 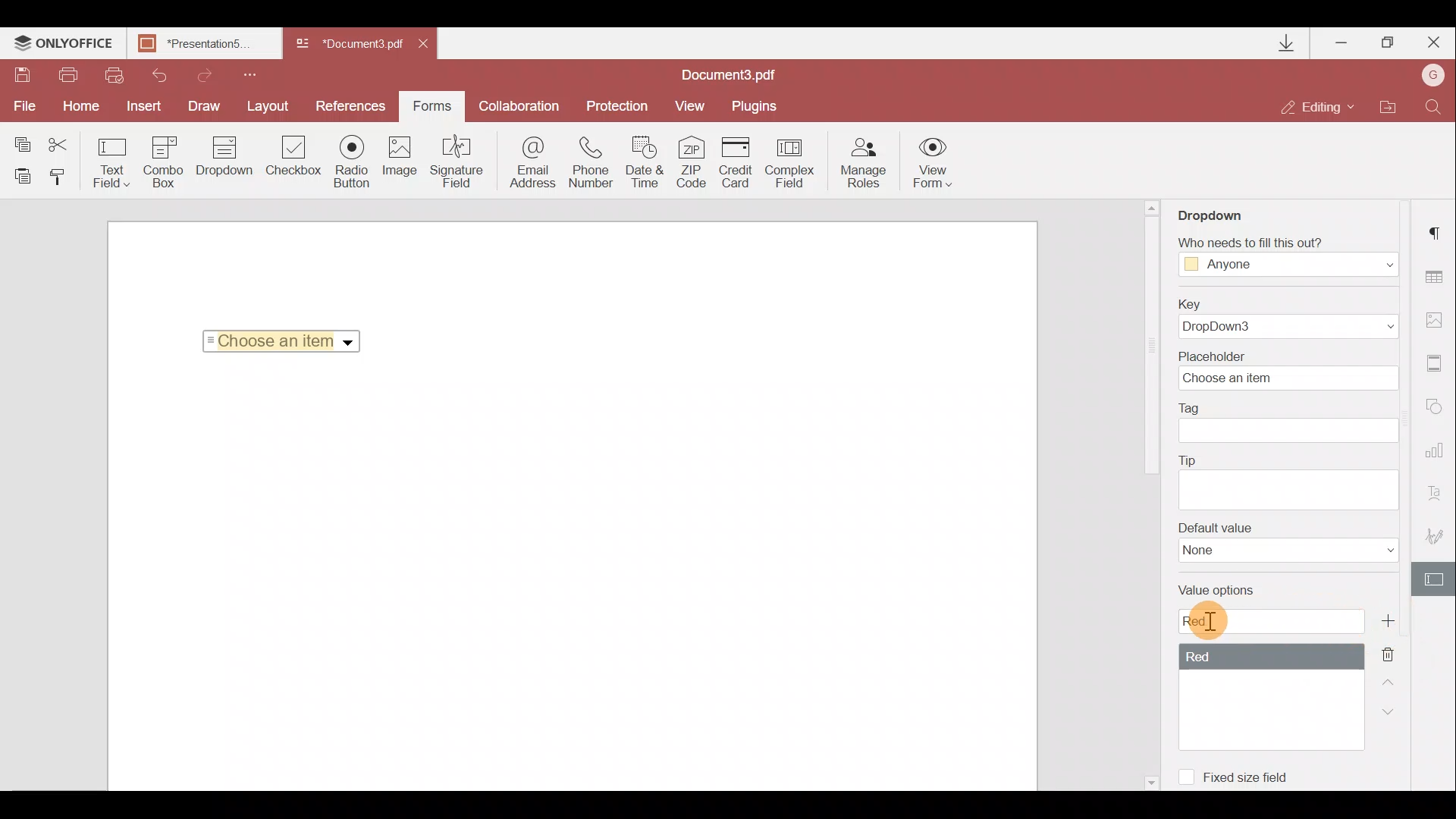 I want to click on Image settings, so click(x=1439, y=319).